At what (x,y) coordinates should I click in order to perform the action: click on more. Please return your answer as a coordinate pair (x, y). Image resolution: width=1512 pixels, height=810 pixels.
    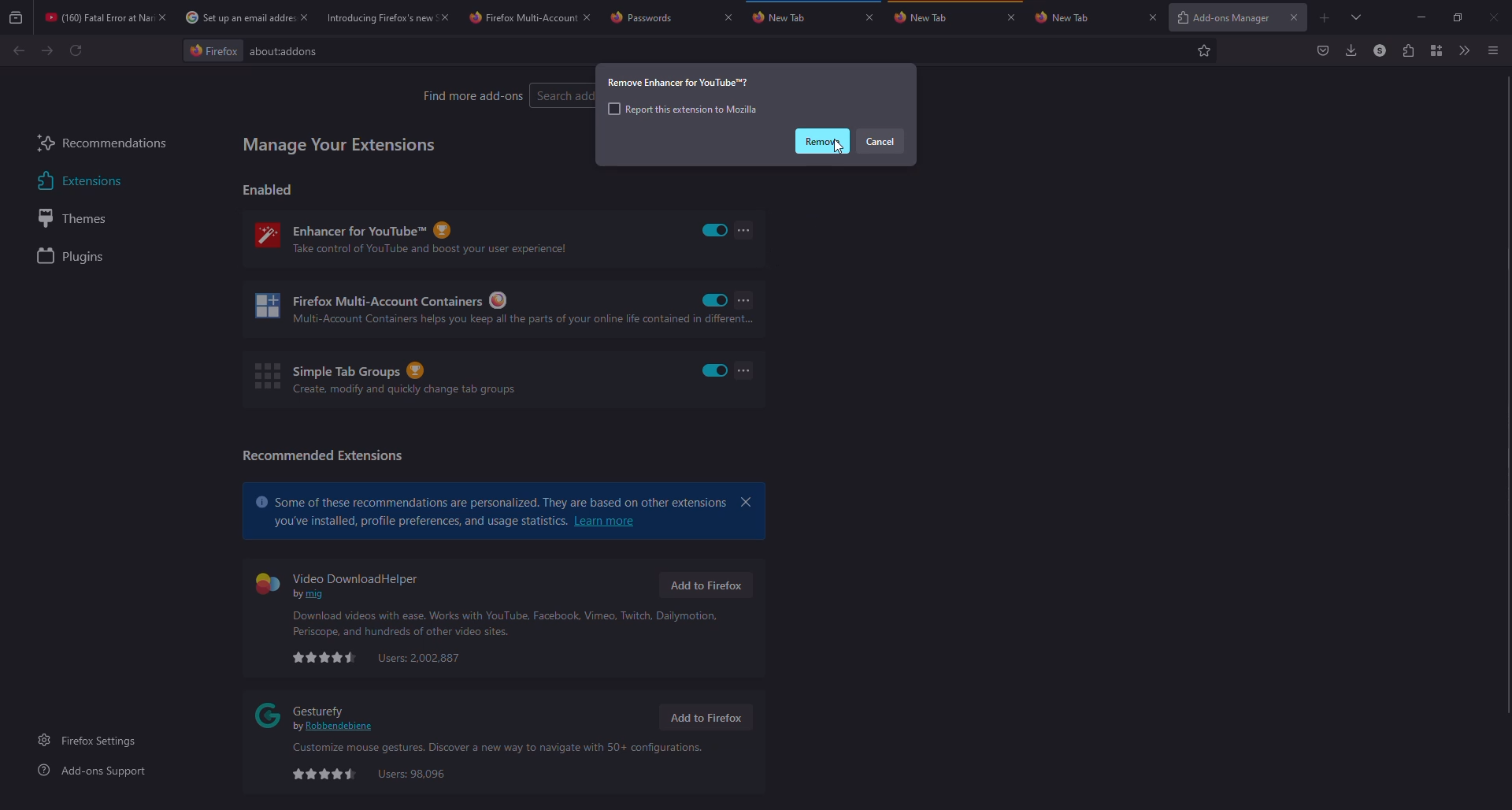
    Looking at the image, I should click on (745, 299).